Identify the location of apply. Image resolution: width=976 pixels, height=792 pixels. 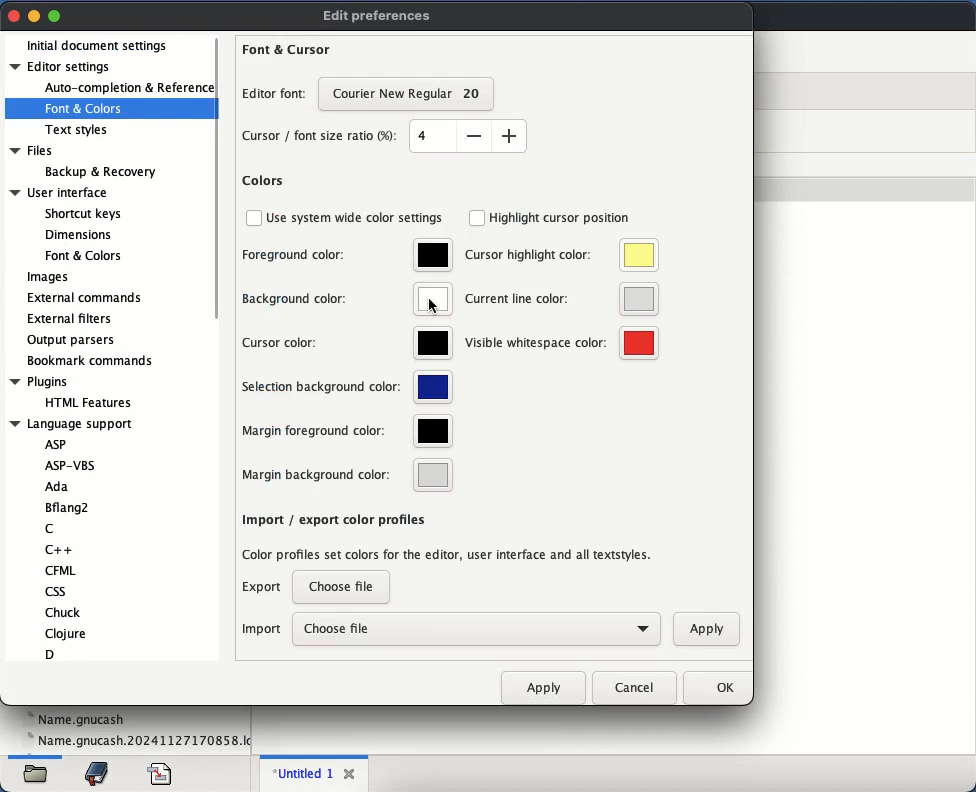
(707, 630).